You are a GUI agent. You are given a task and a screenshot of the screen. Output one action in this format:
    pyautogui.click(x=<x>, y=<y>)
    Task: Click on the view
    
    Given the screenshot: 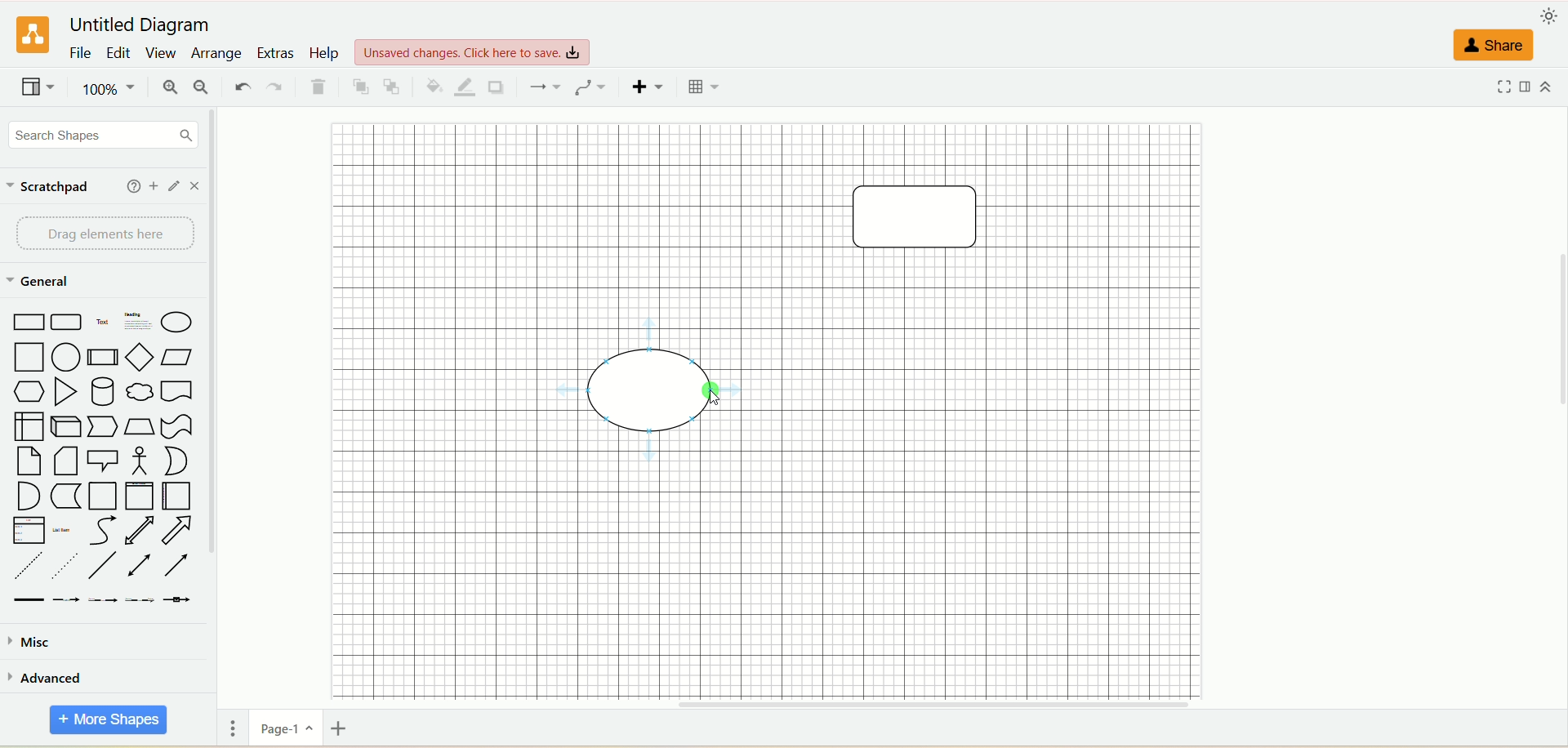 What is the action you would take?
    pyautogui.click(x=163, y=53)
    